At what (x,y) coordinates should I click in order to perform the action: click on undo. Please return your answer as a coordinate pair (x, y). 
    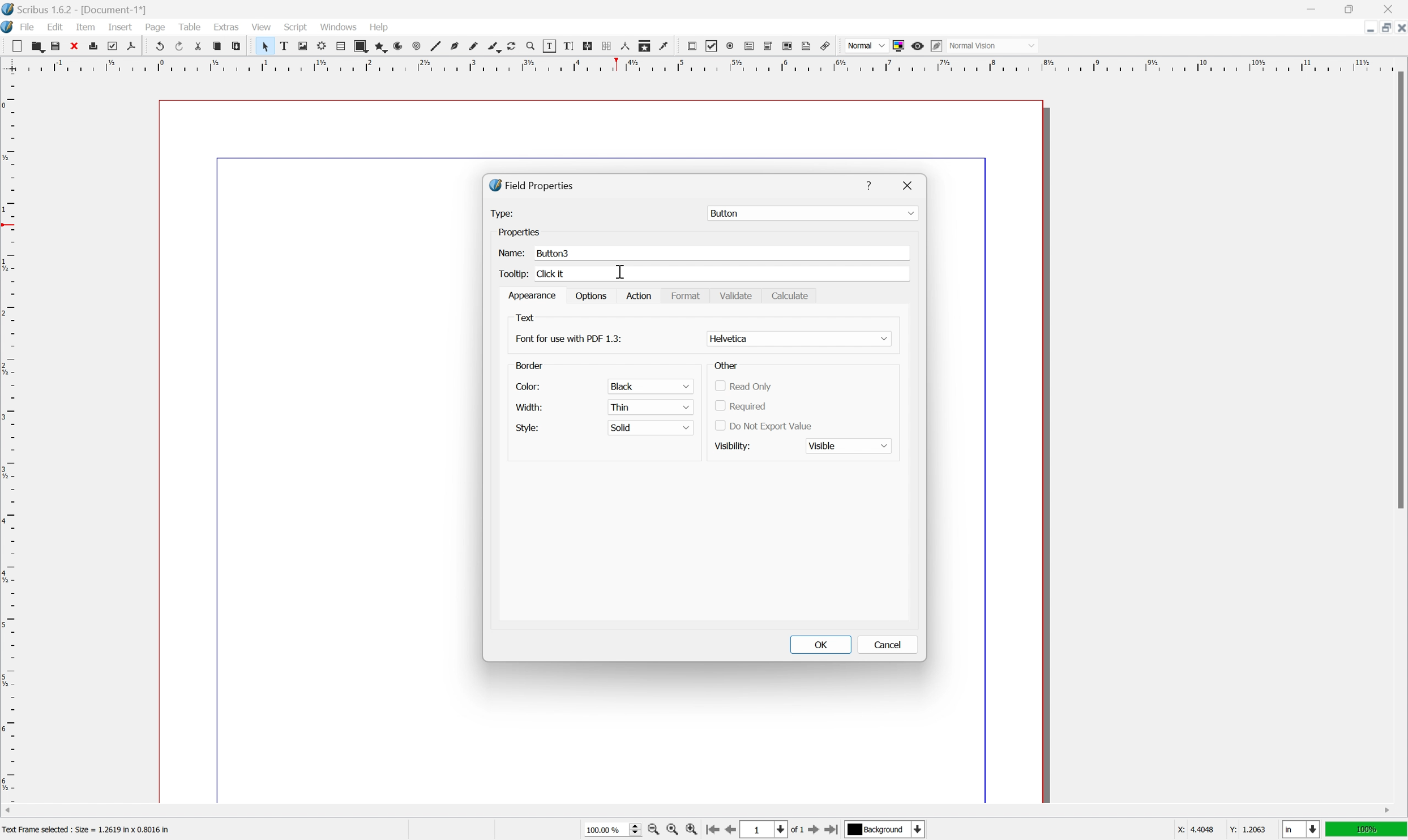
    Looking at the image, I should click on (161, 46).